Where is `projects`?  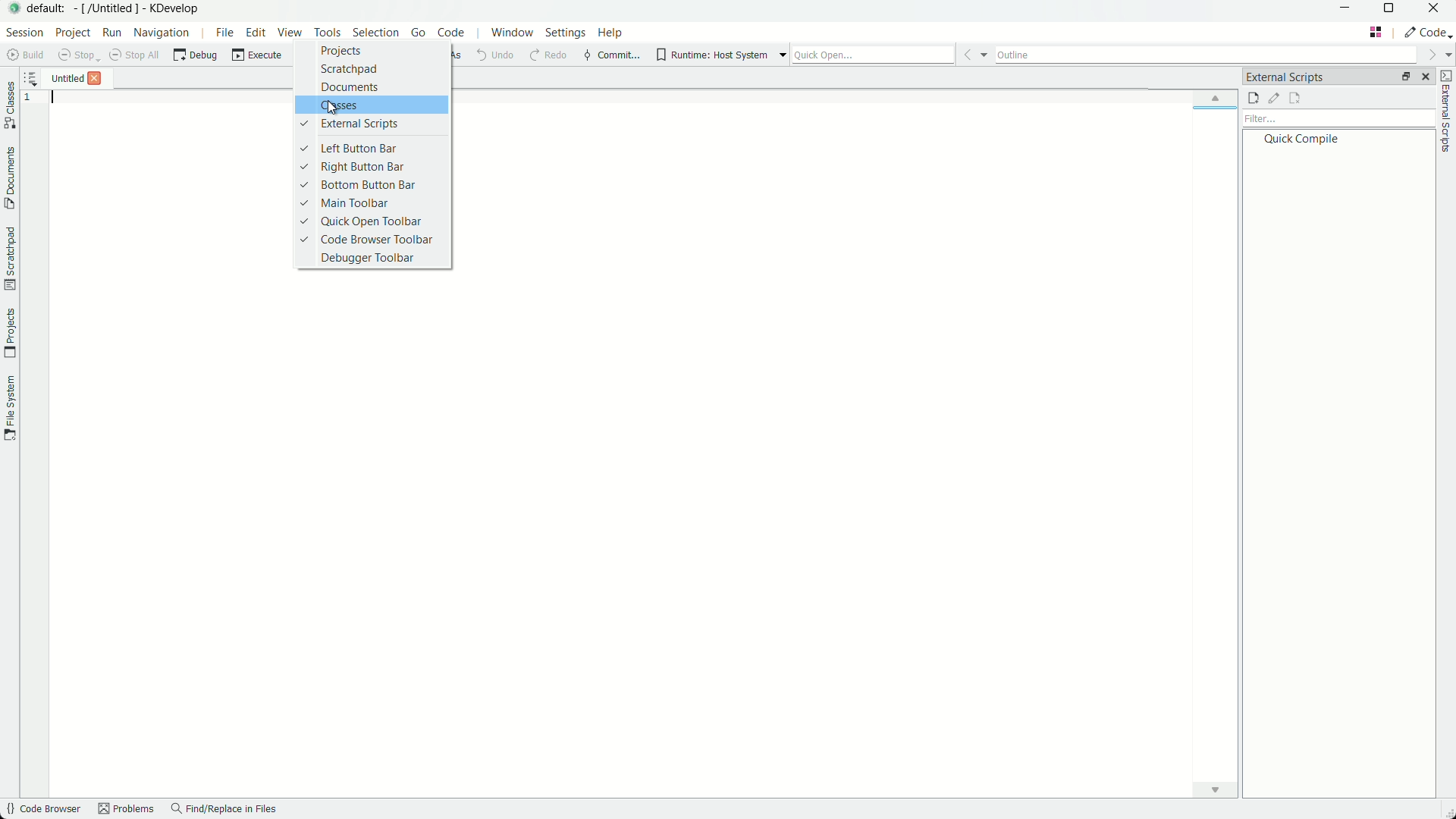
projects is located at coordinates (372, 50).